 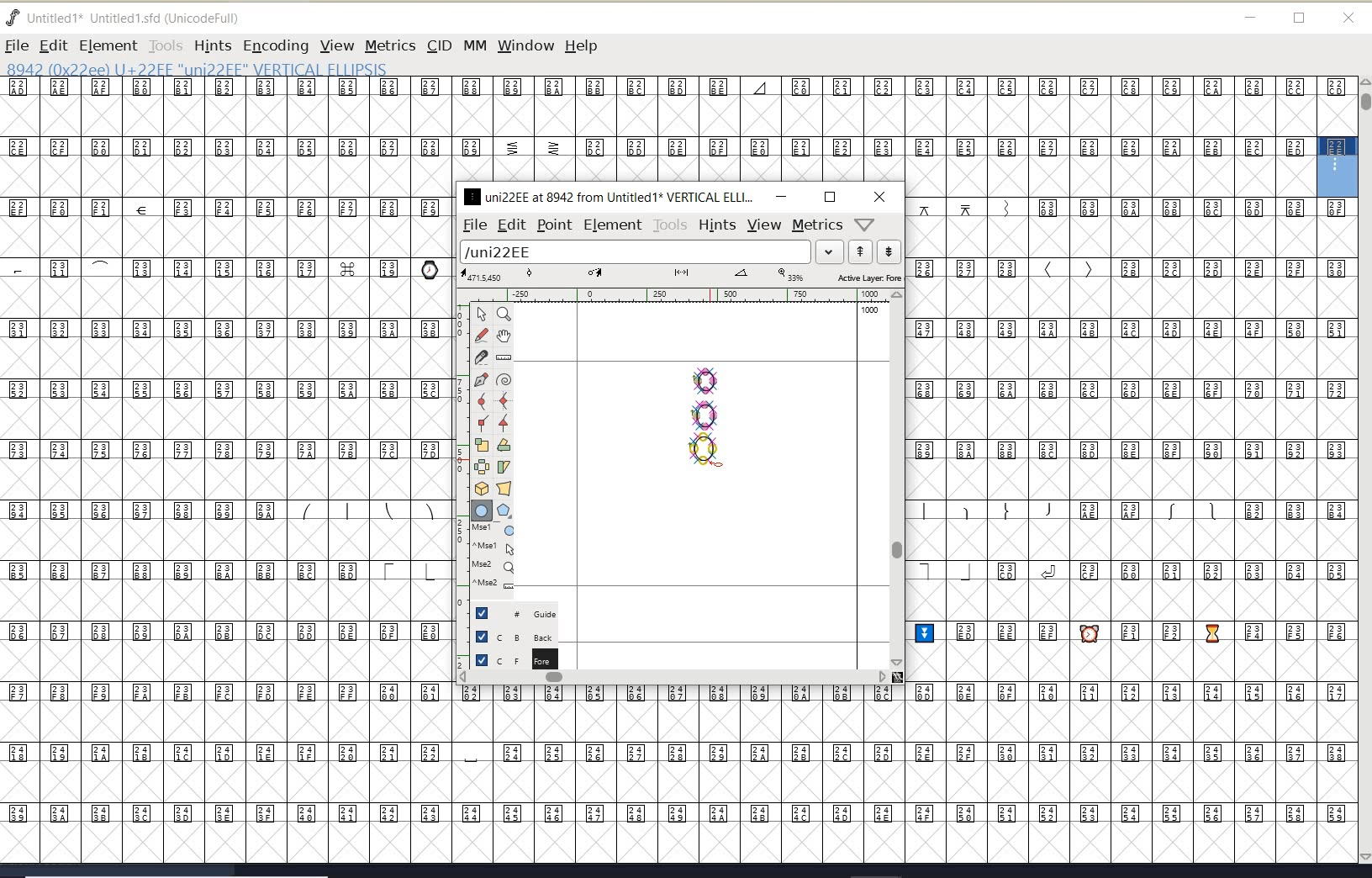 I want to click on cut splines in two, so click(x=481, y=357).